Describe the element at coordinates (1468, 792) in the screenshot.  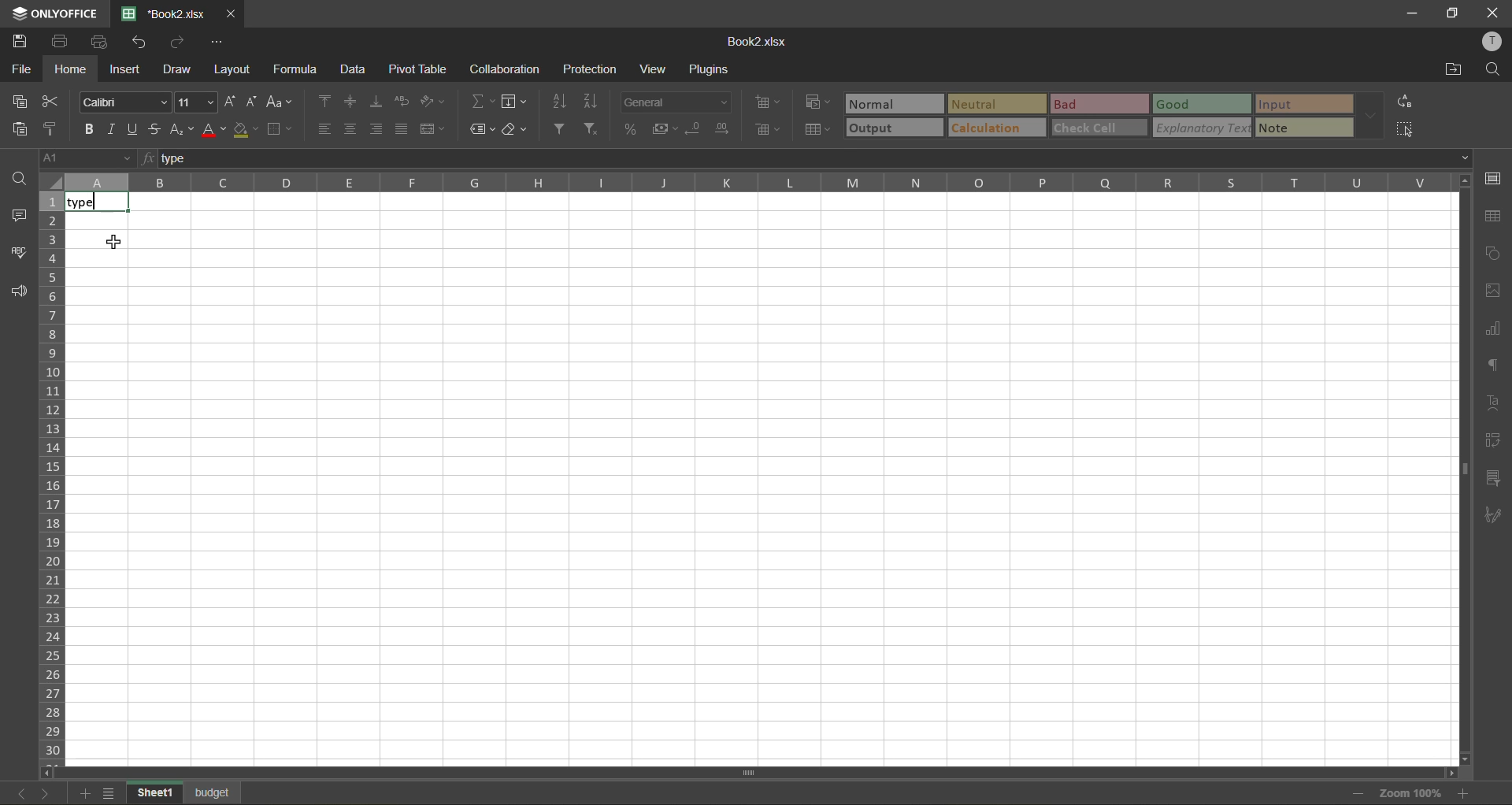
I see `zoom in` at that location.